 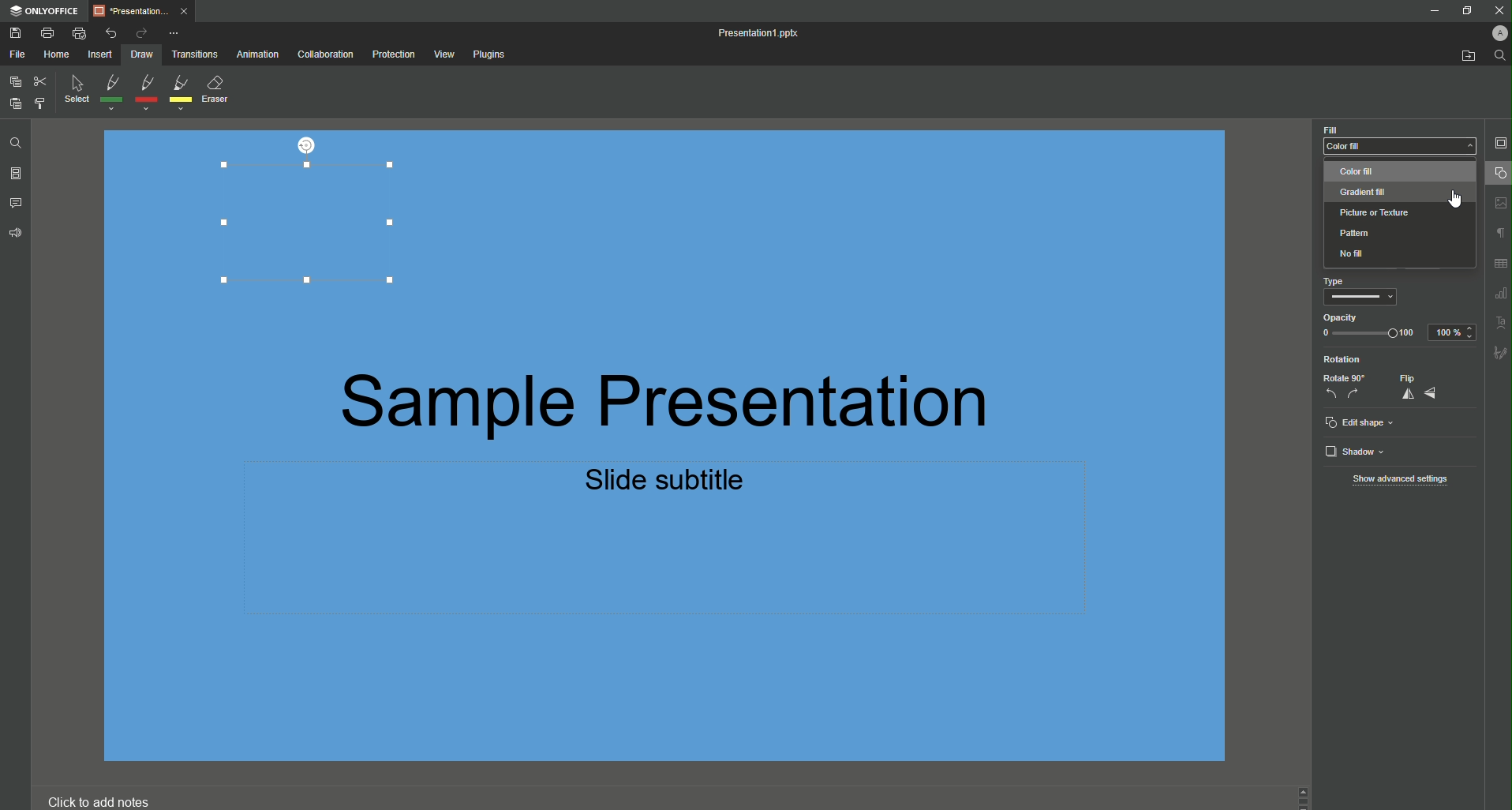 What do you see at coordinates (1494, 280) in the screenshot?
I see `Unnamed Icons` at bounding box center [1494, 280].